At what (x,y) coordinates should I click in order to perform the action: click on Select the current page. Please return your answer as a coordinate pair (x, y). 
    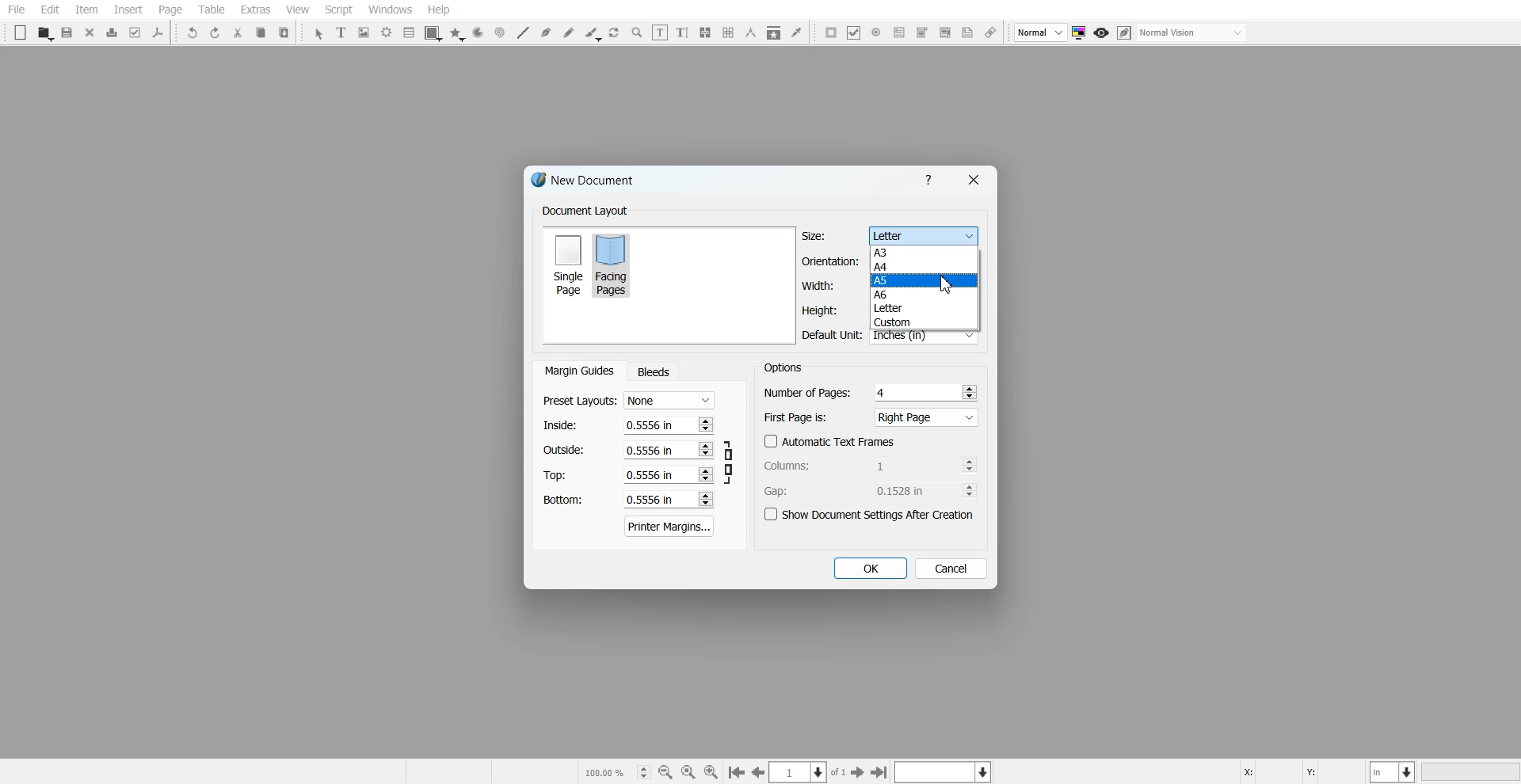
    Looking at the image, I should click on (809, 772).